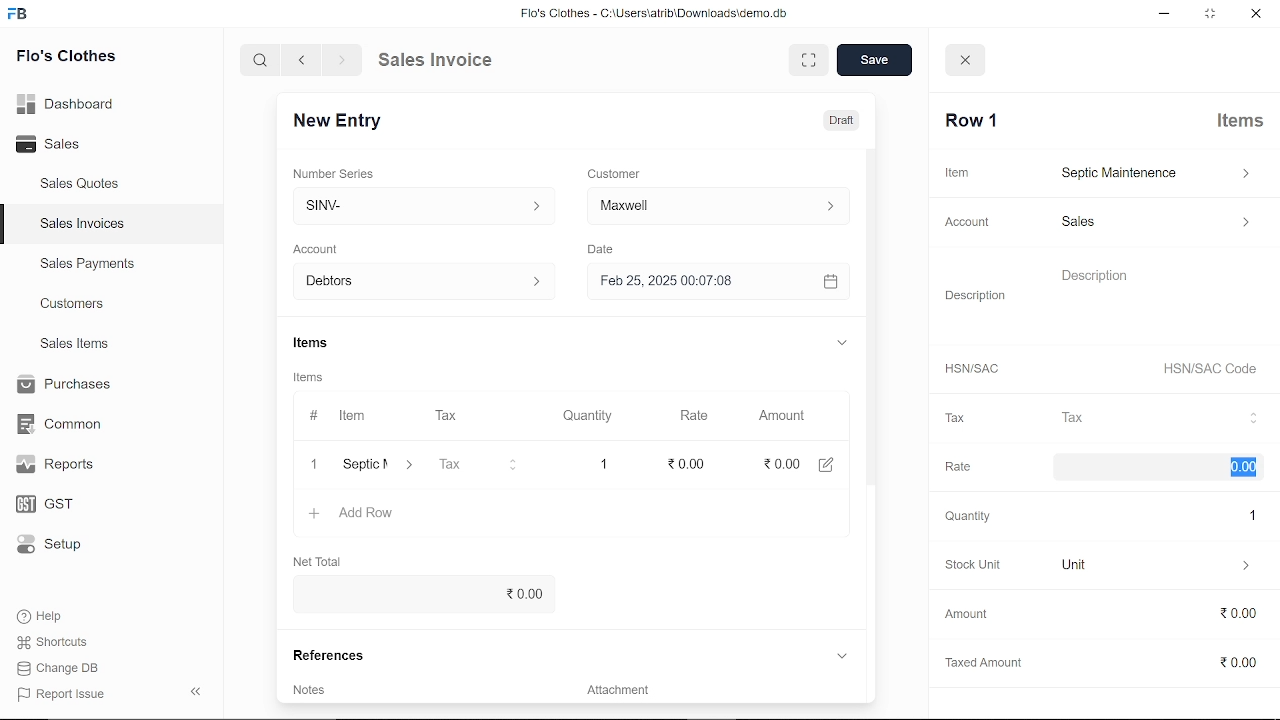 This screenshot has height=720, width=1280. I want to click on Sales Quotes, so click(82, 186).